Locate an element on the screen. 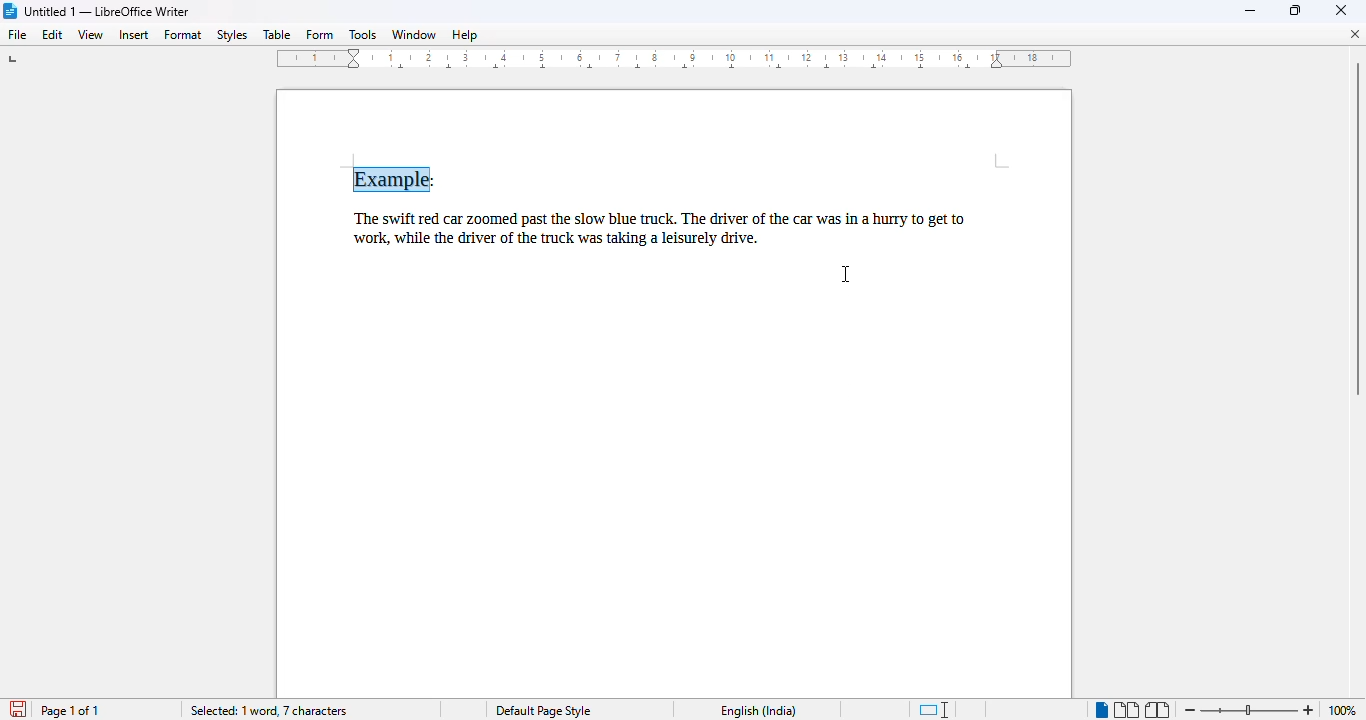 The image size is (1366, 720). zoom out is located at coordinates (1190, 710).